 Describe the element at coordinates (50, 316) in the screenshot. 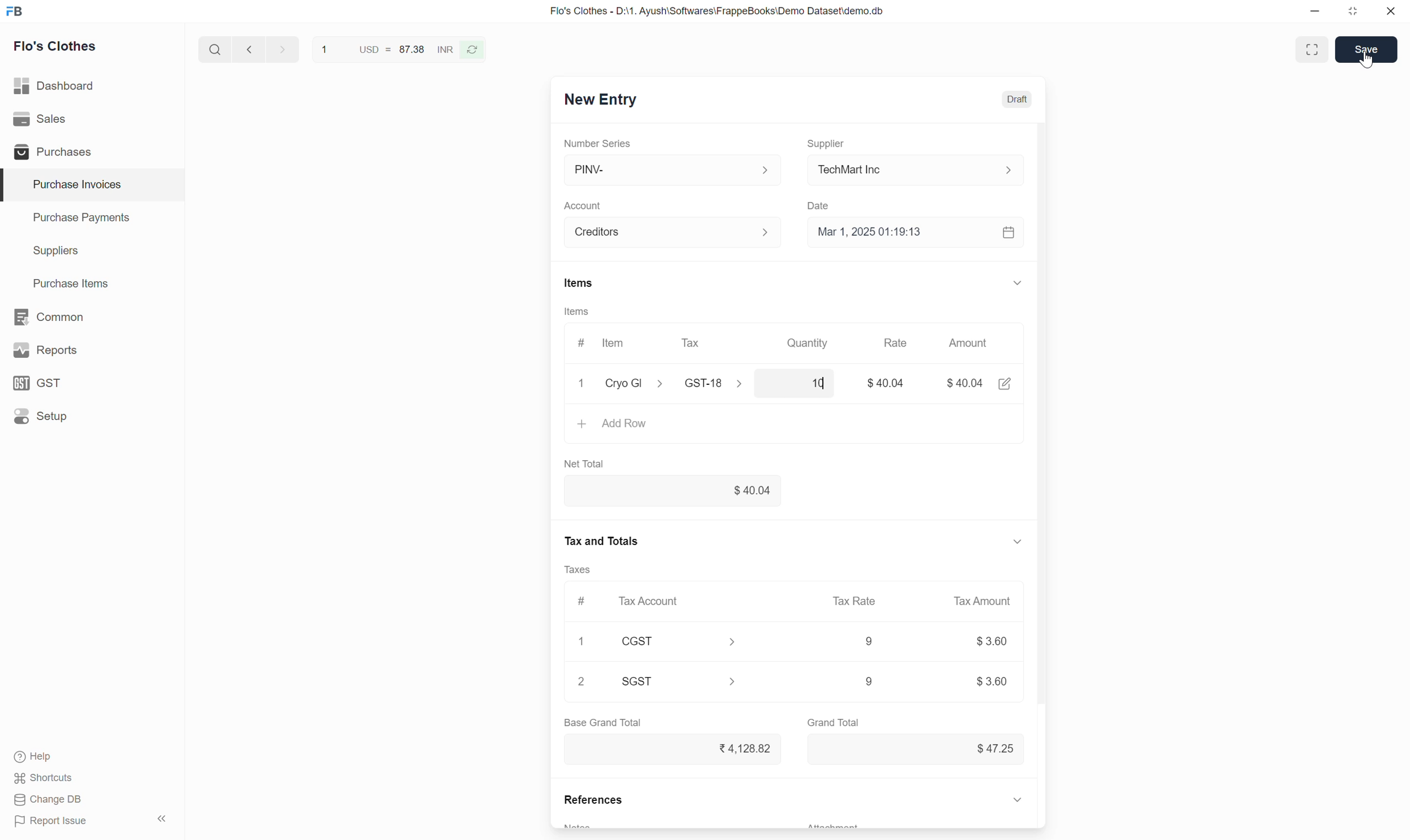

I see `Common` at that location.